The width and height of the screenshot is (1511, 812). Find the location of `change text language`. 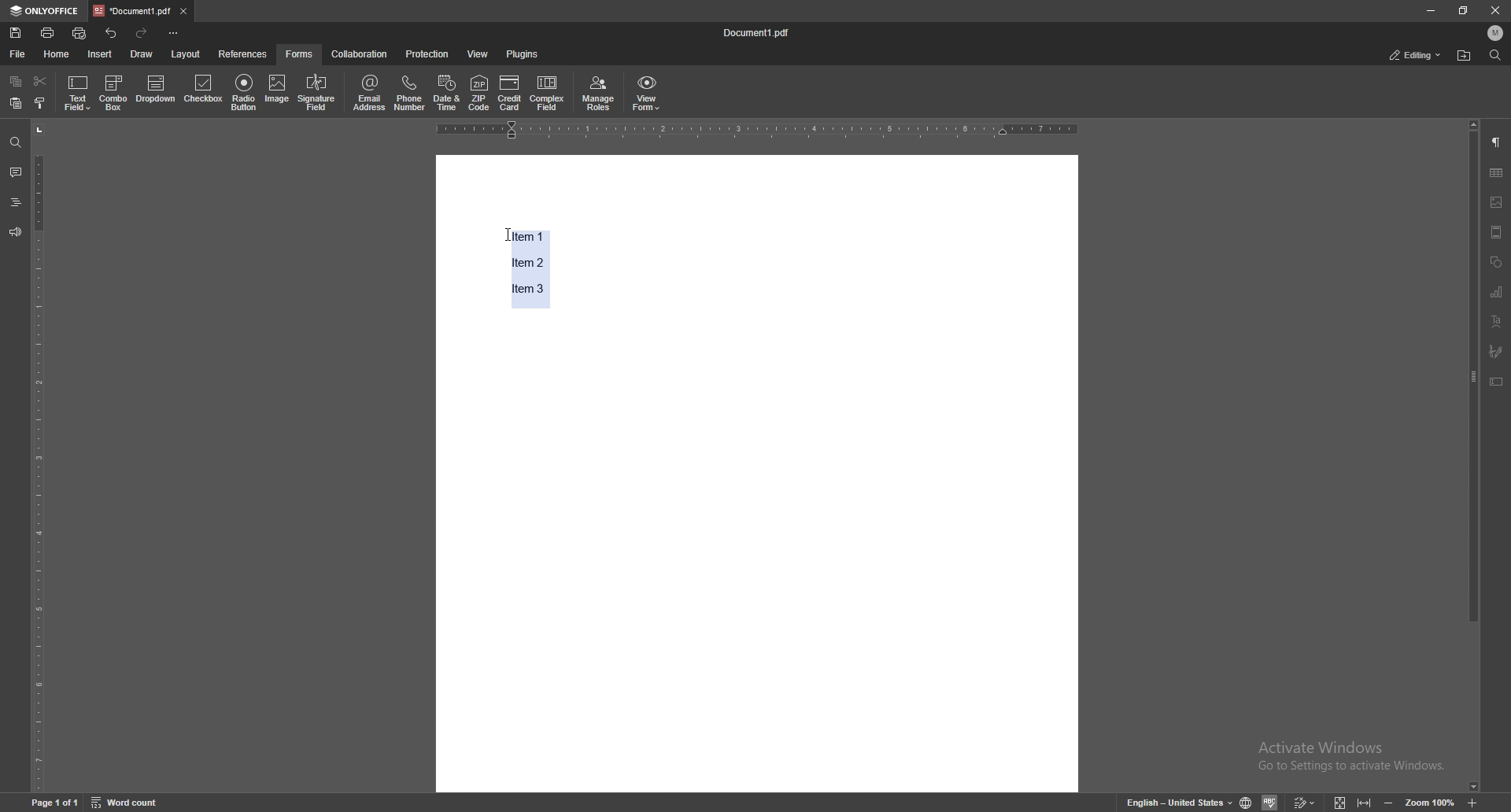

change text language is located at coordinates (1178, 801).